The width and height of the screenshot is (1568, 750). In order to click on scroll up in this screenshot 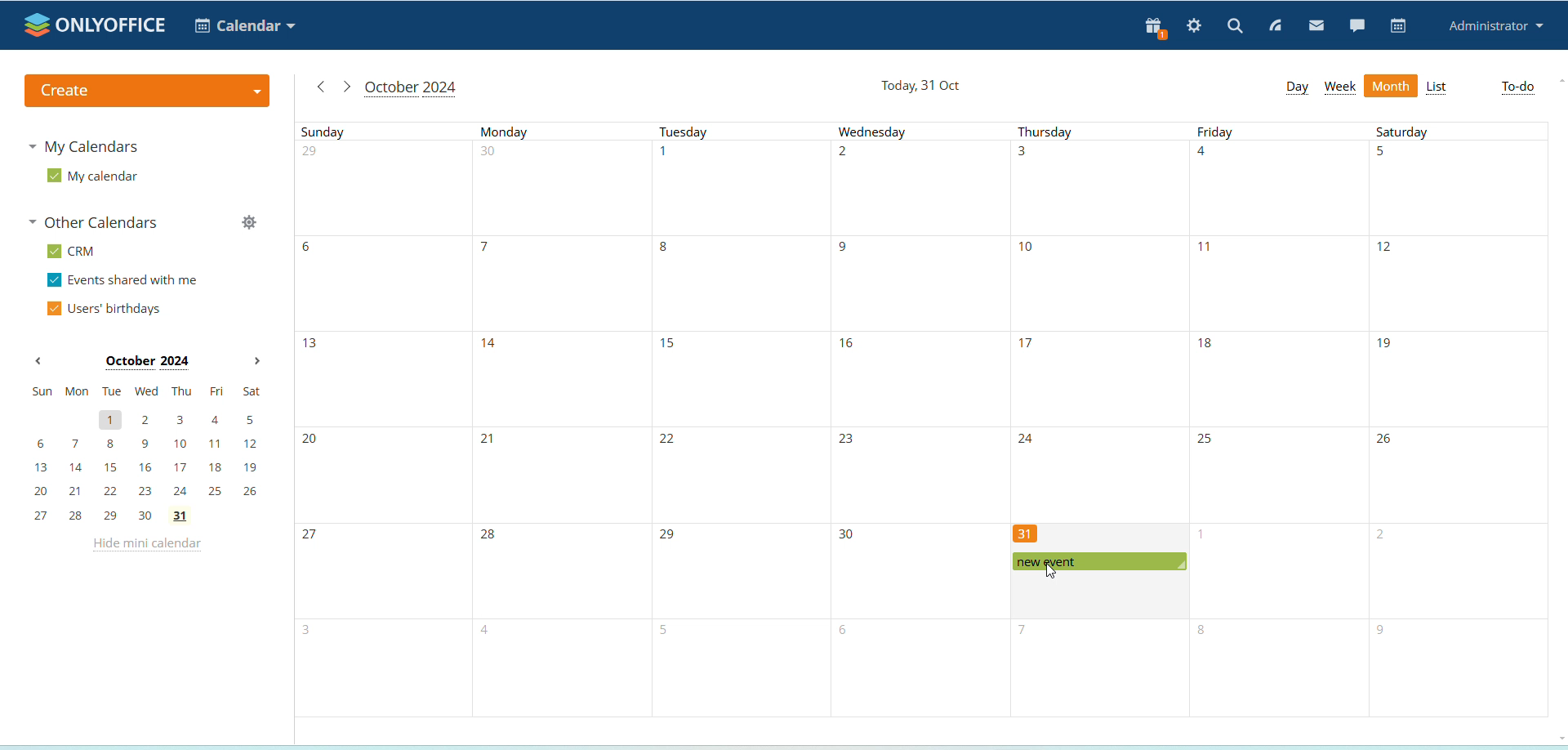, I will do `click(1561, 79)`.